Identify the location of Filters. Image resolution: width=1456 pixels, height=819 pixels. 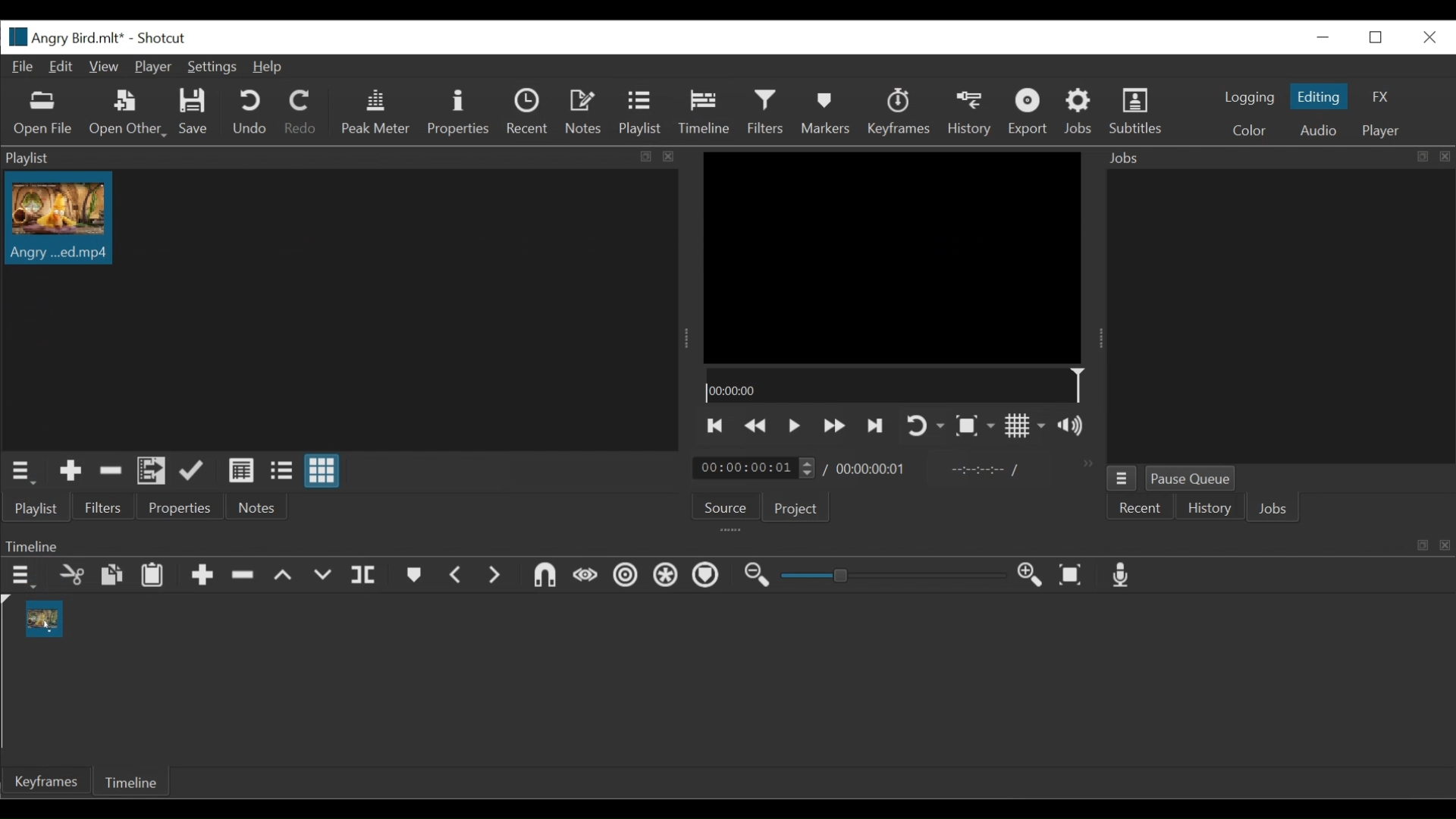
(102, 510).